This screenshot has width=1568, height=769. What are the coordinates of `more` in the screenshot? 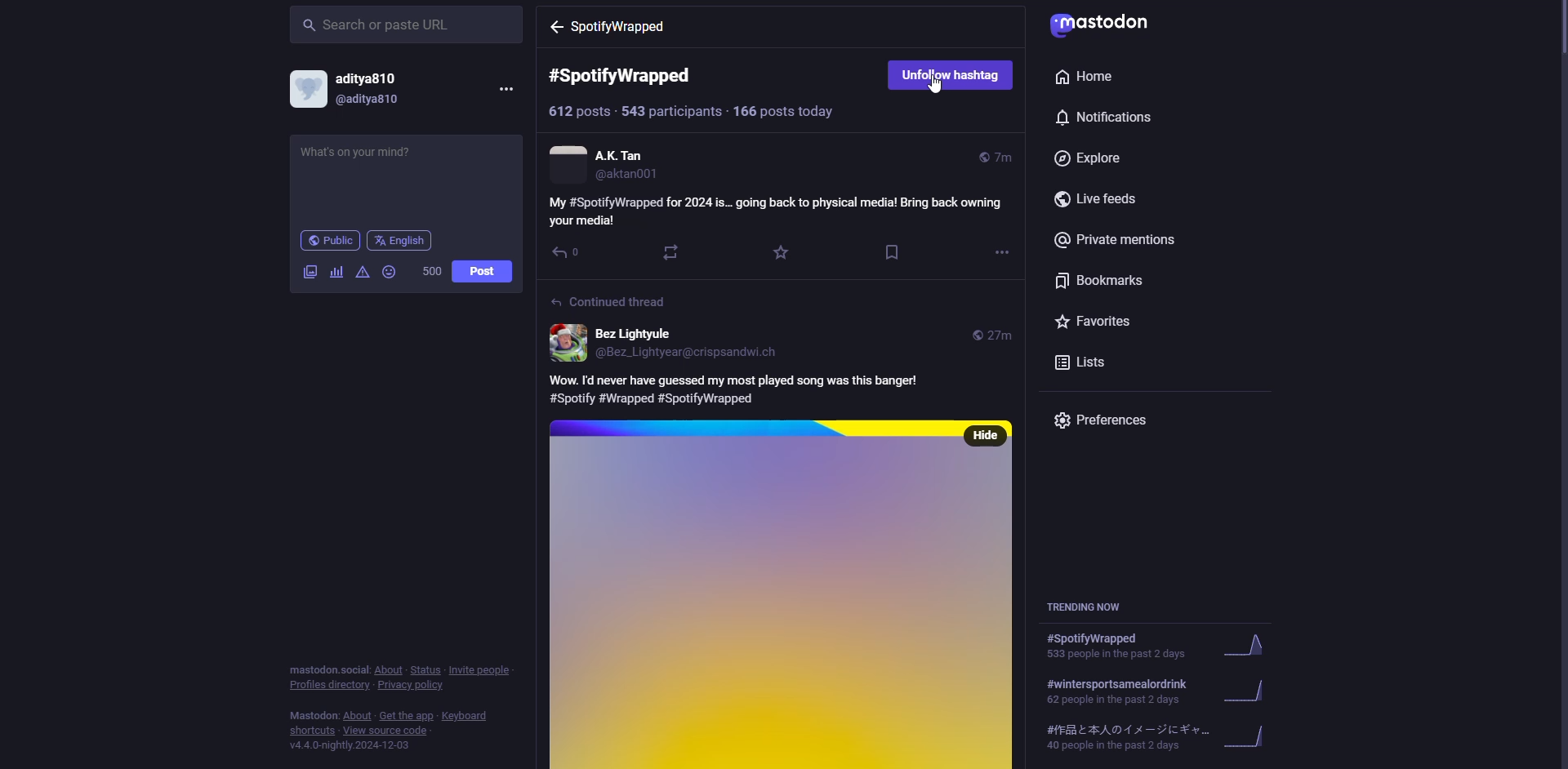 It's located at (1001, 252).